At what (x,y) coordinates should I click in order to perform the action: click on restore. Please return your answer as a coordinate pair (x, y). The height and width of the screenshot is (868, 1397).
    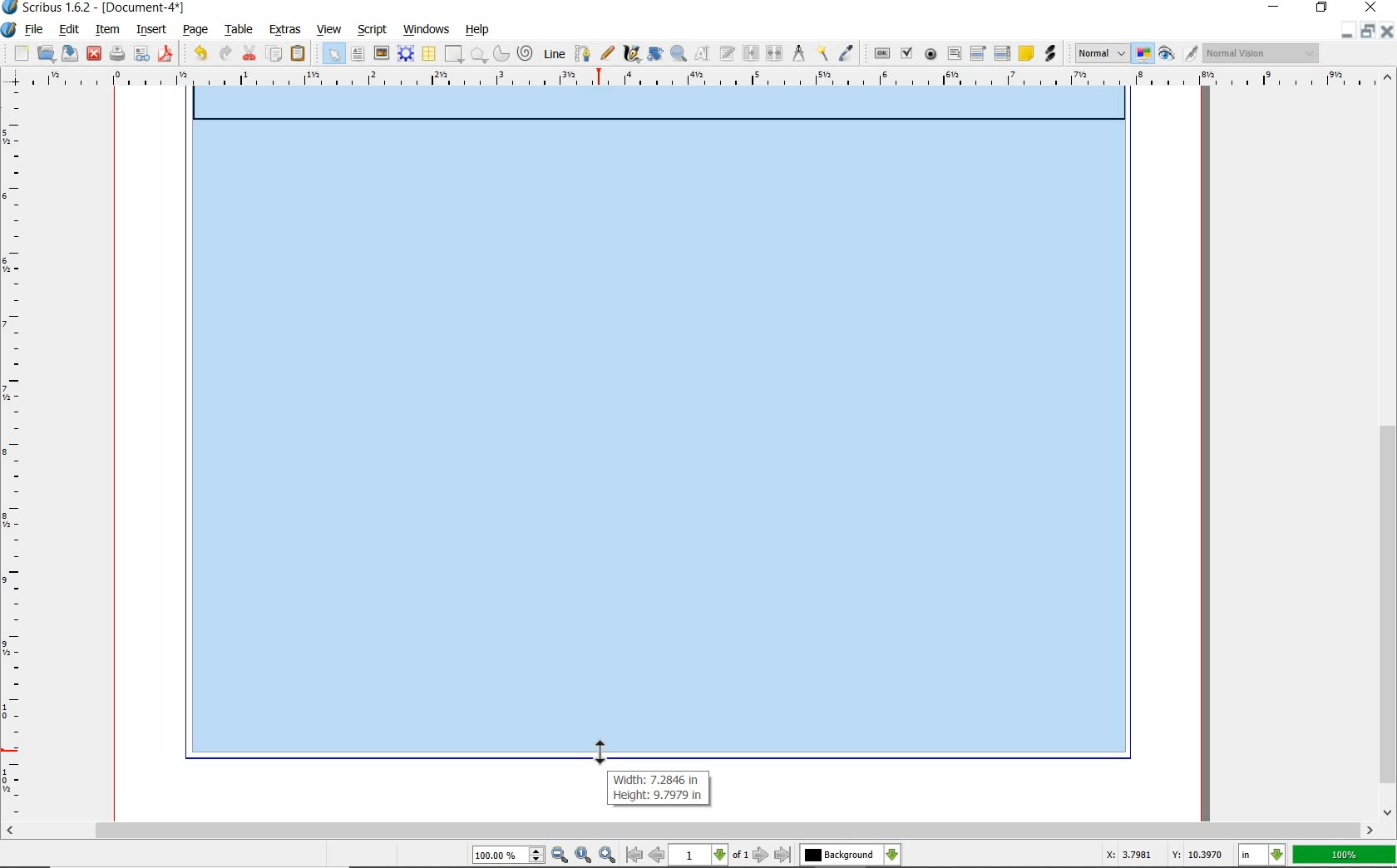
    Looking at the image, I should click on (1368, 32).